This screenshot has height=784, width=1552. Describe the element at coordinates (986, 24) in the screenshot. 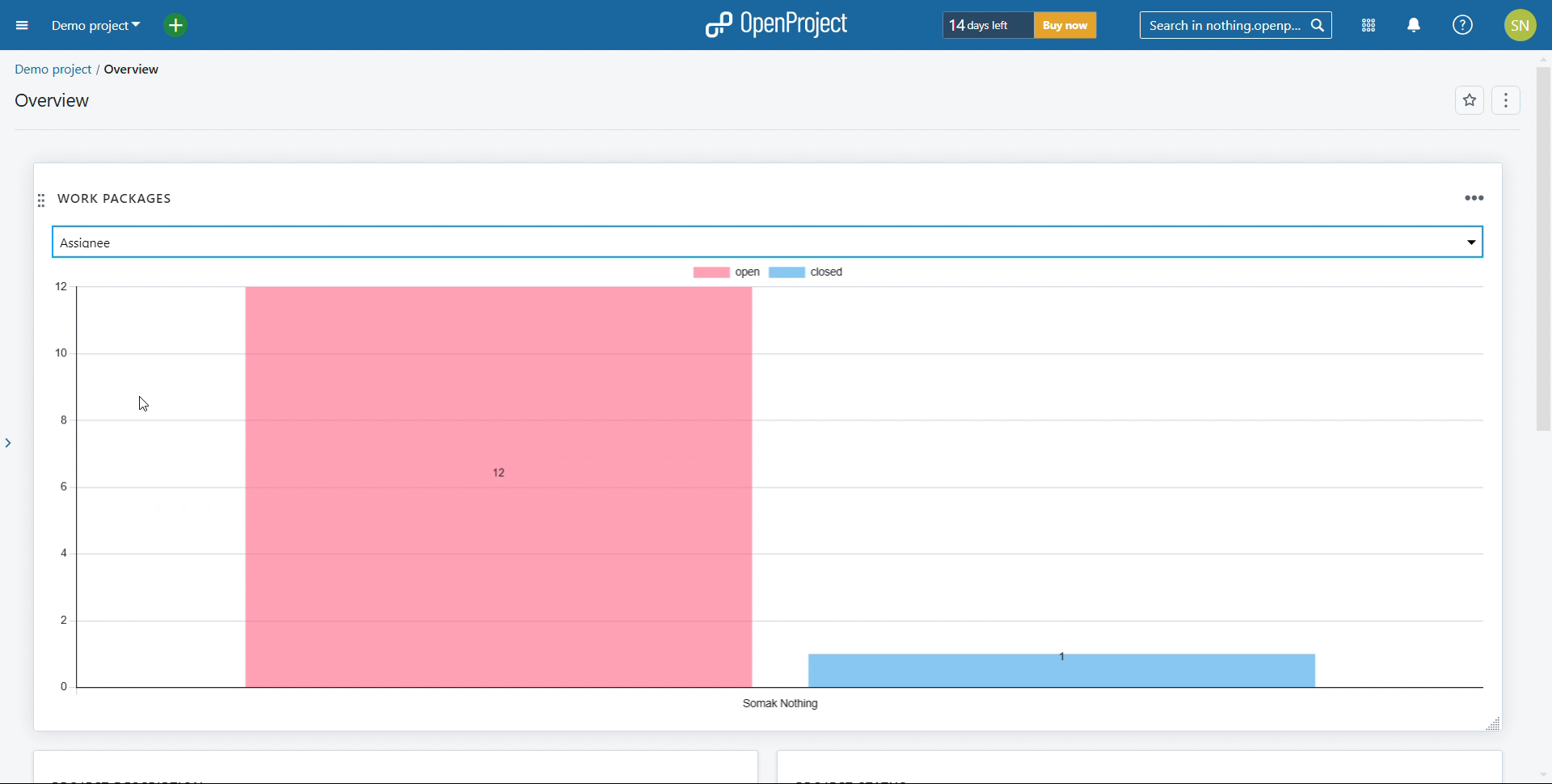

I see `trial period left` at that location.